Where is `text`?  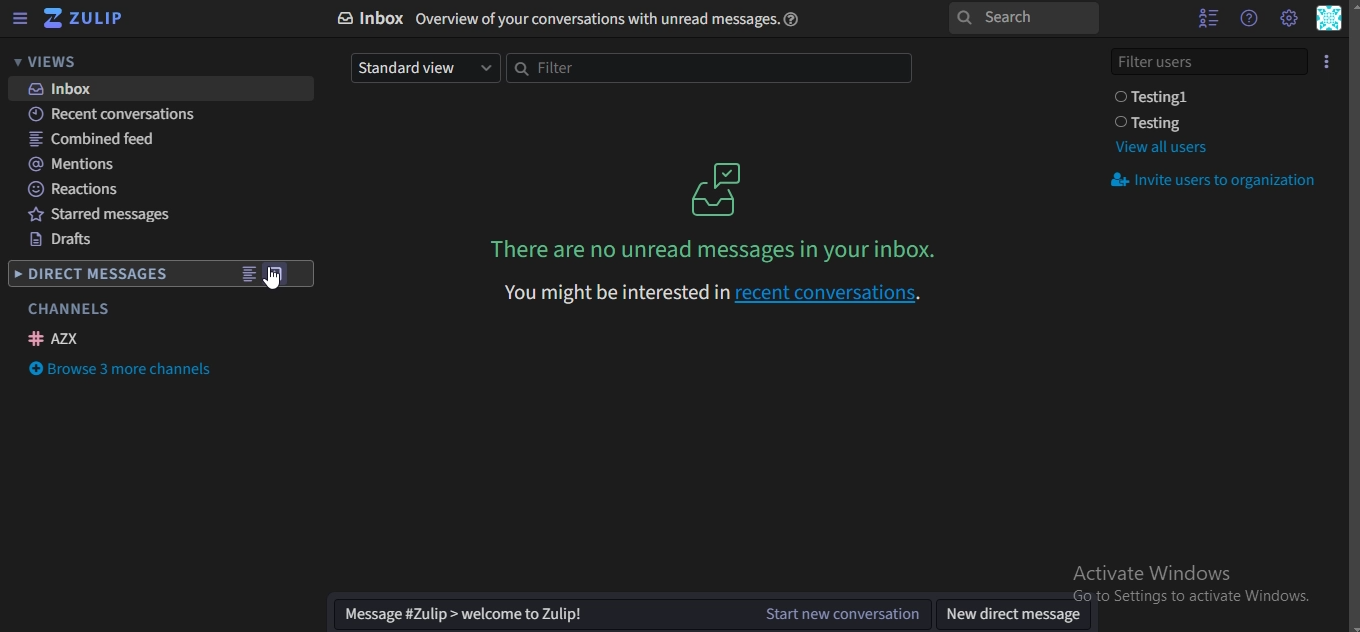
text is located at coordinates (577, 19).